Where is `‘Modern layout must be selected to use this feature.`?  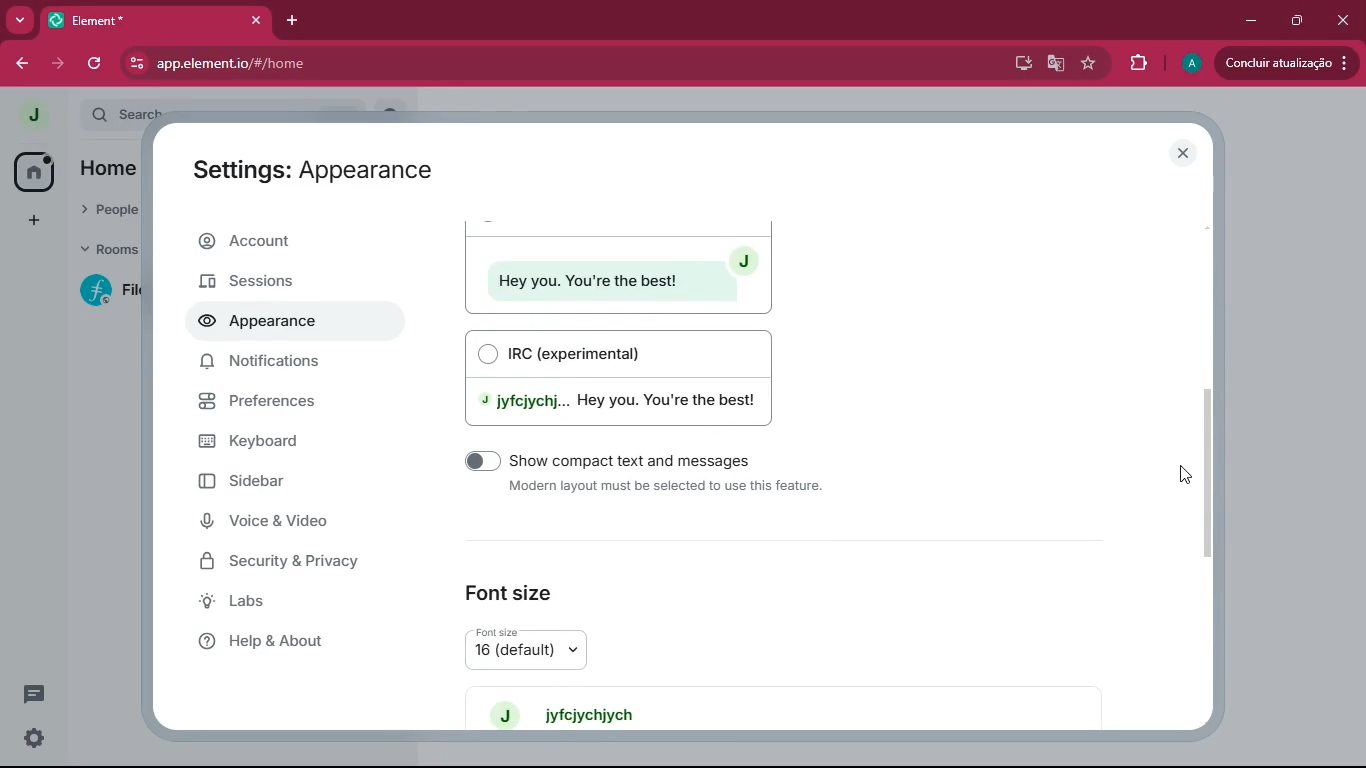
‘Modern layout must be selected to use this feature. is located at coordinates (669, 488).